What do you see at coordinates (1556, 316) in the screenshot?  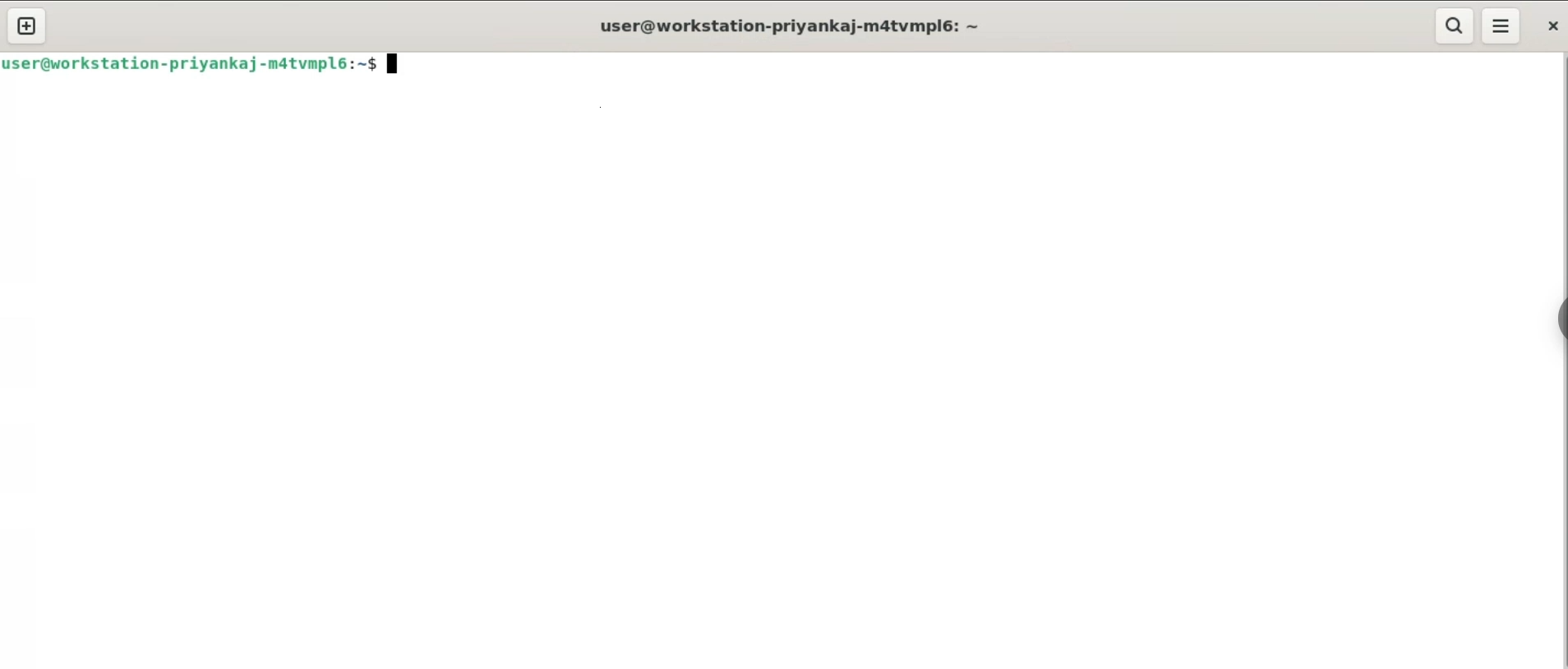 I see `sidebar` at bounding box center [1556, 316].